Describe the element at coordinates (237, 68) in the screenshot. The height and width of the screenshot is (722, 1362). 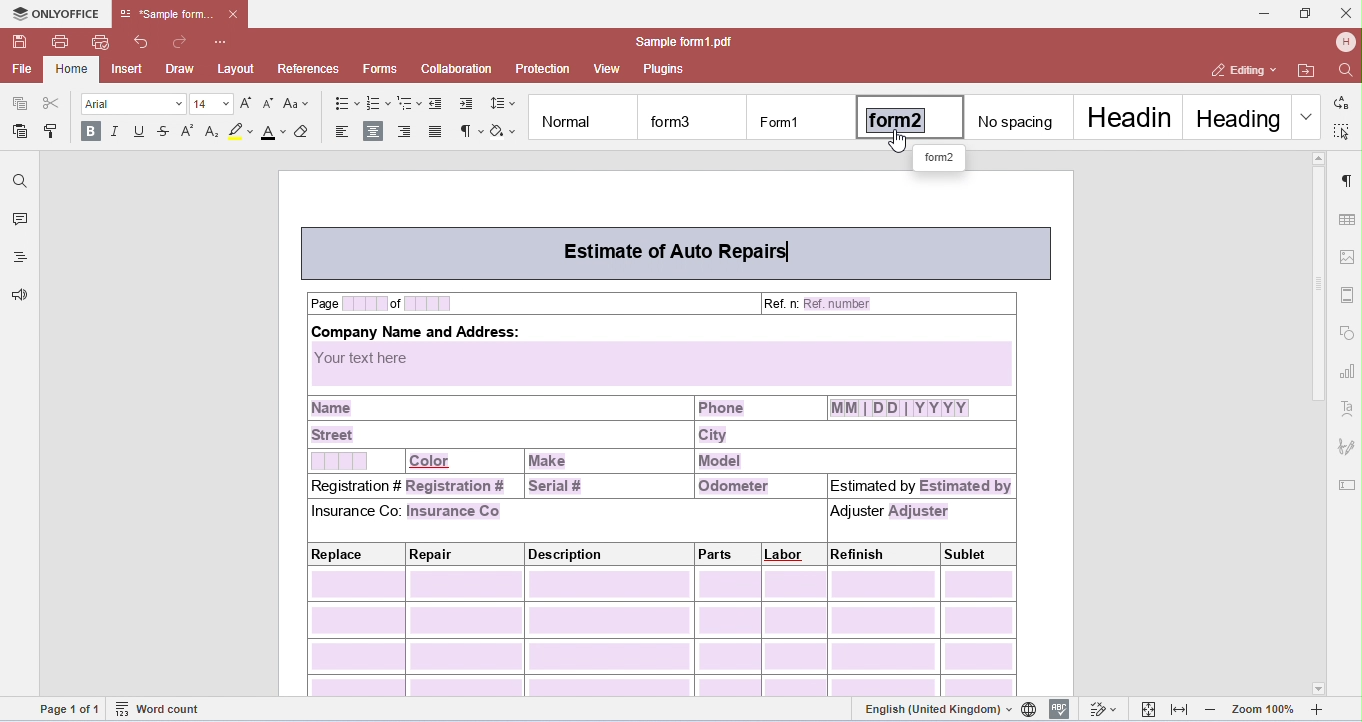
I see `layout` at that location.